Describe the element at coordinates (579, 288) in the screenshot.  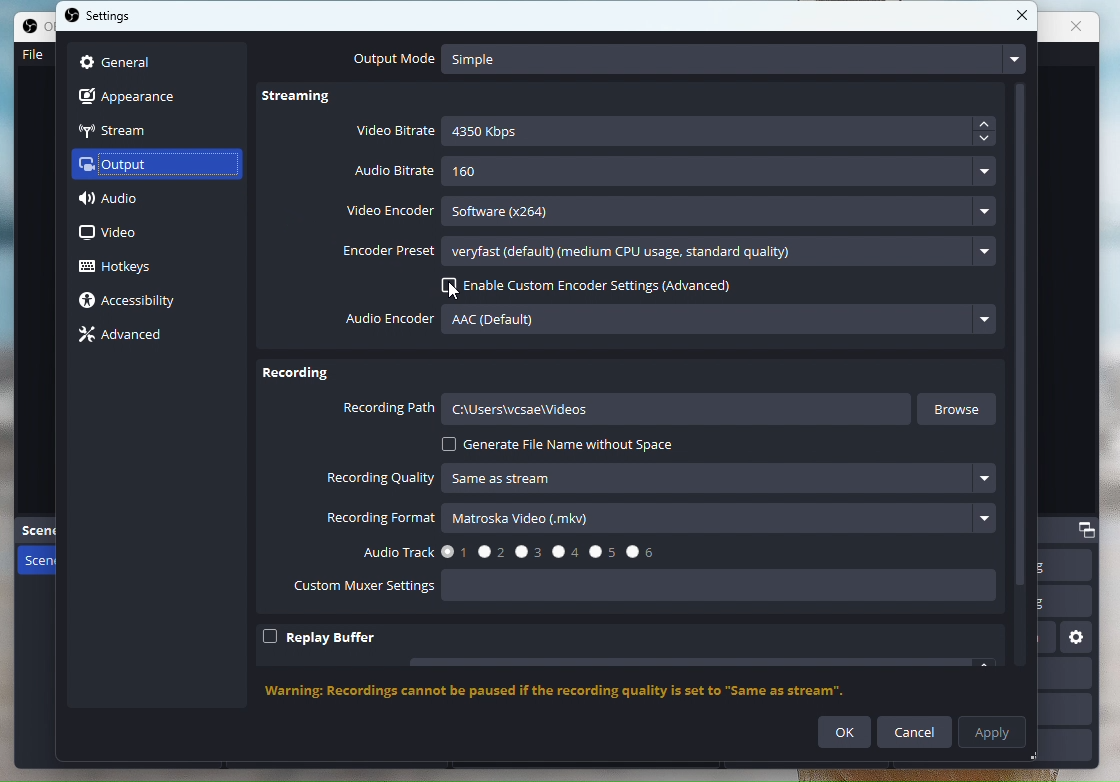
I see `Enable Custom Encoder Settings (Advance)` at that location.